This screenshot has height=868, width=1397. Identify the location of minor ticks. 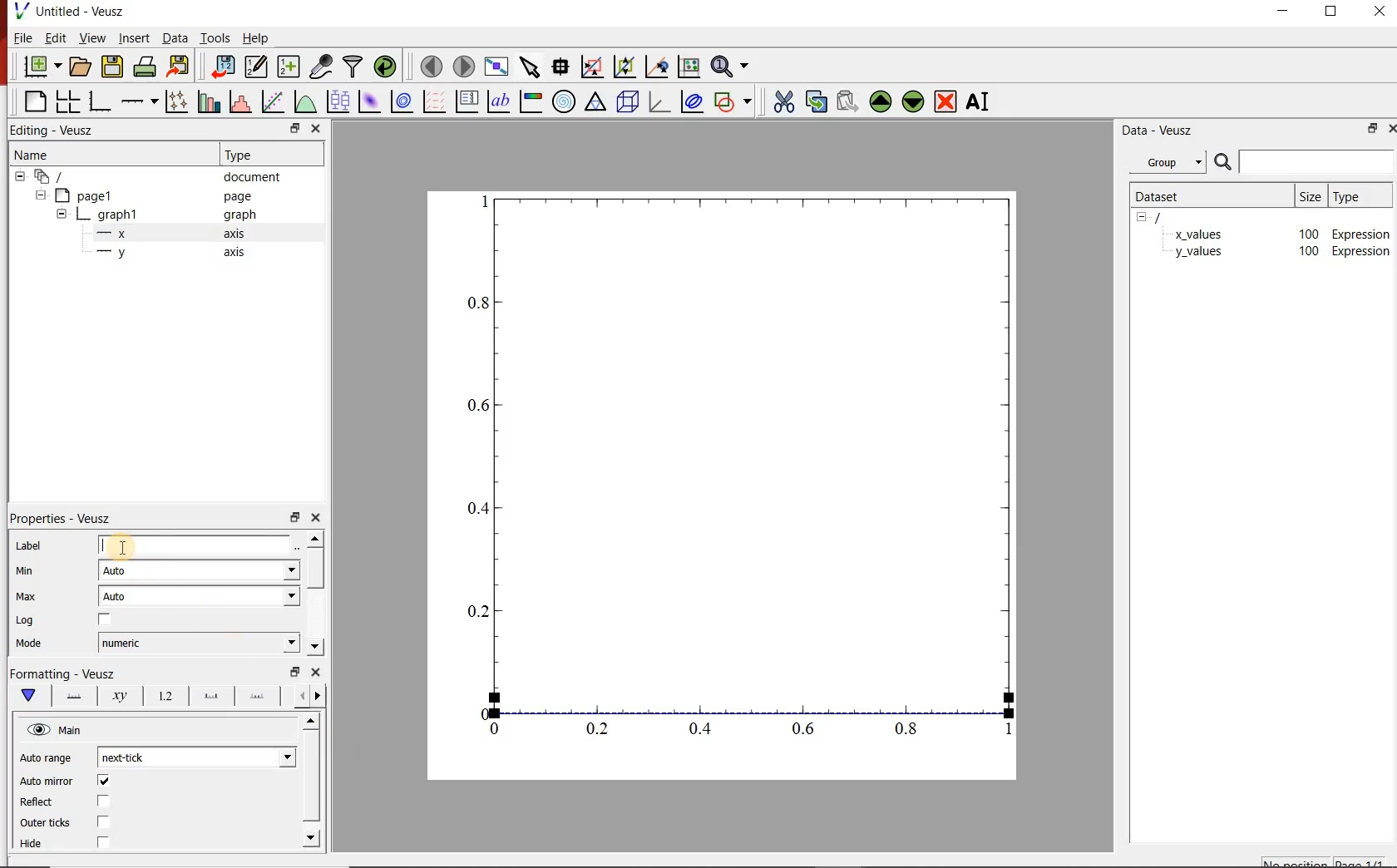
(259, 696).